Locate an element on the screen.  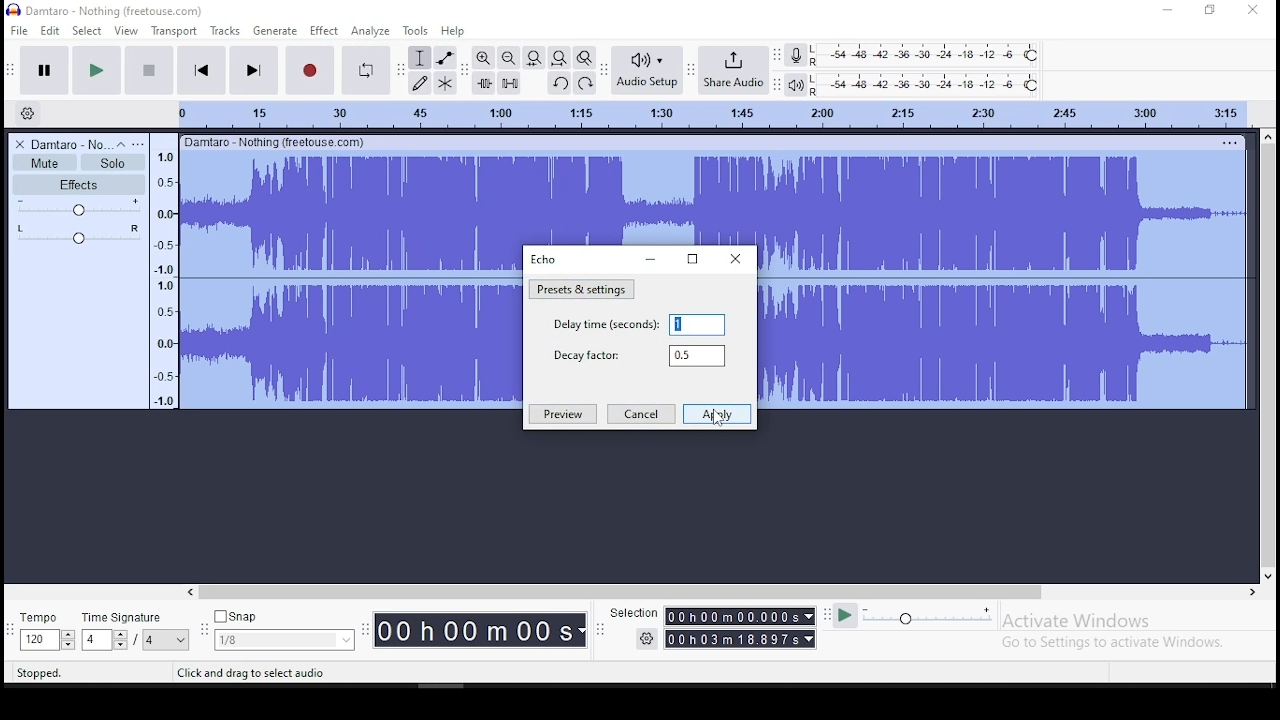
recording level is located at coordinates (925, 55).